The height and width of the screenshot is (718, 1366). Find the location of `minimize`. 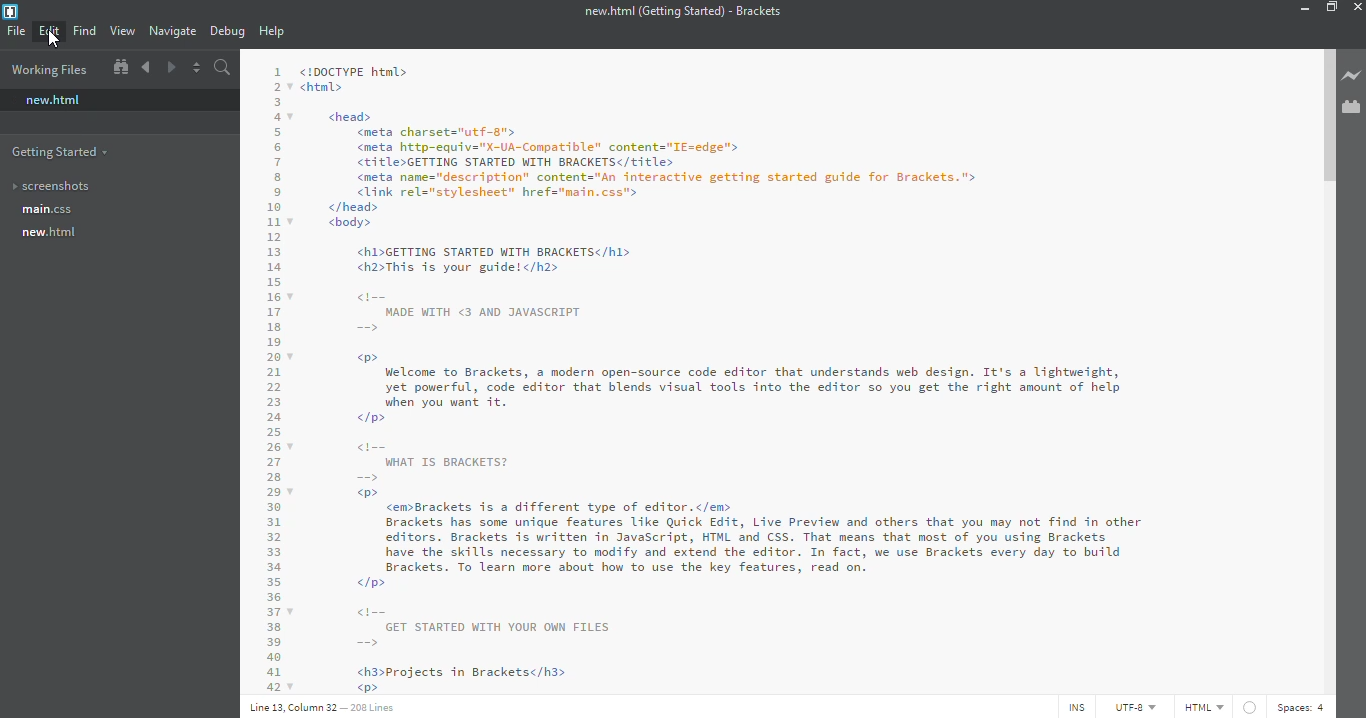

minimize is located at coordinates (1299, 9).